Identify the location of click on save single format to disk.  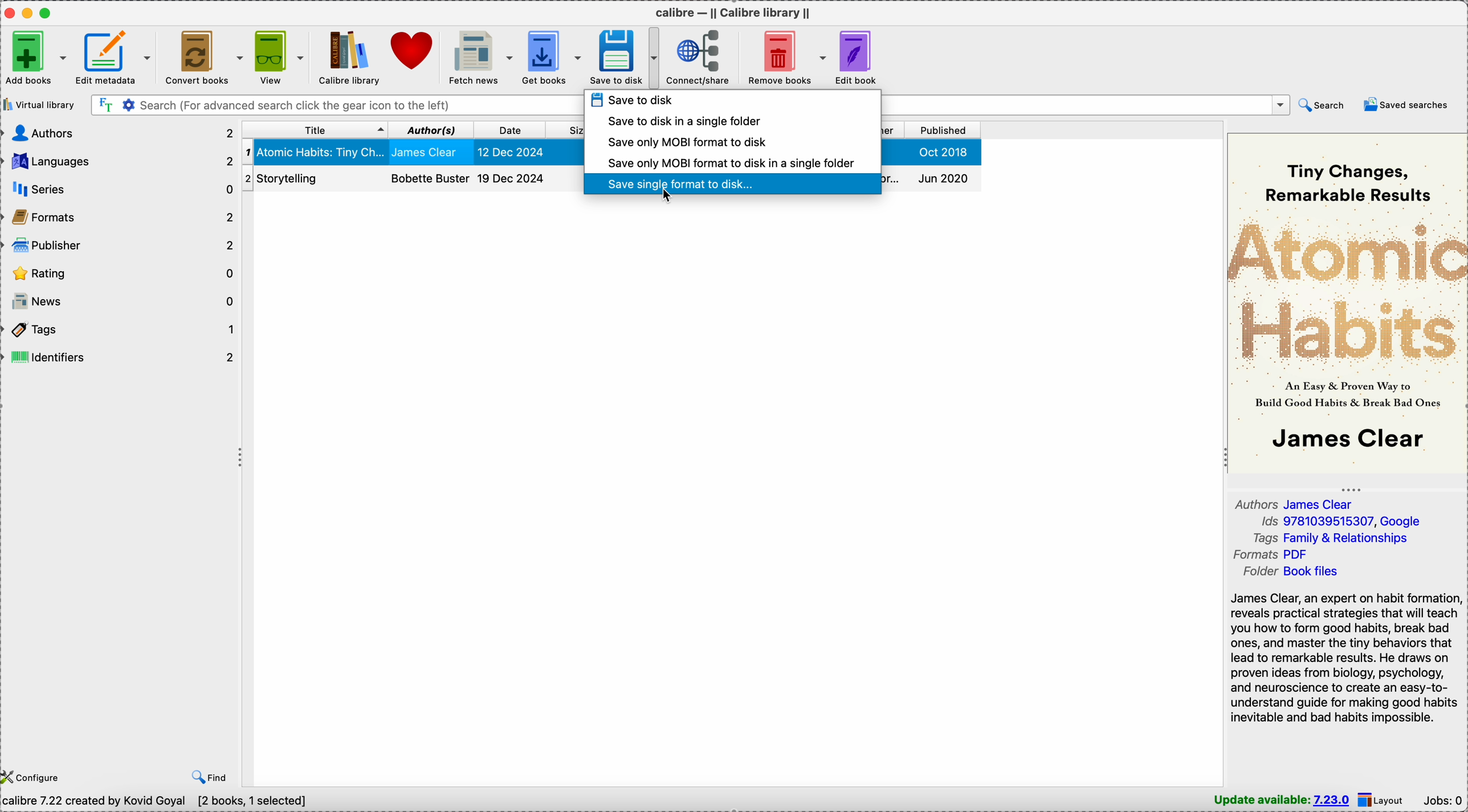
(733, 183).